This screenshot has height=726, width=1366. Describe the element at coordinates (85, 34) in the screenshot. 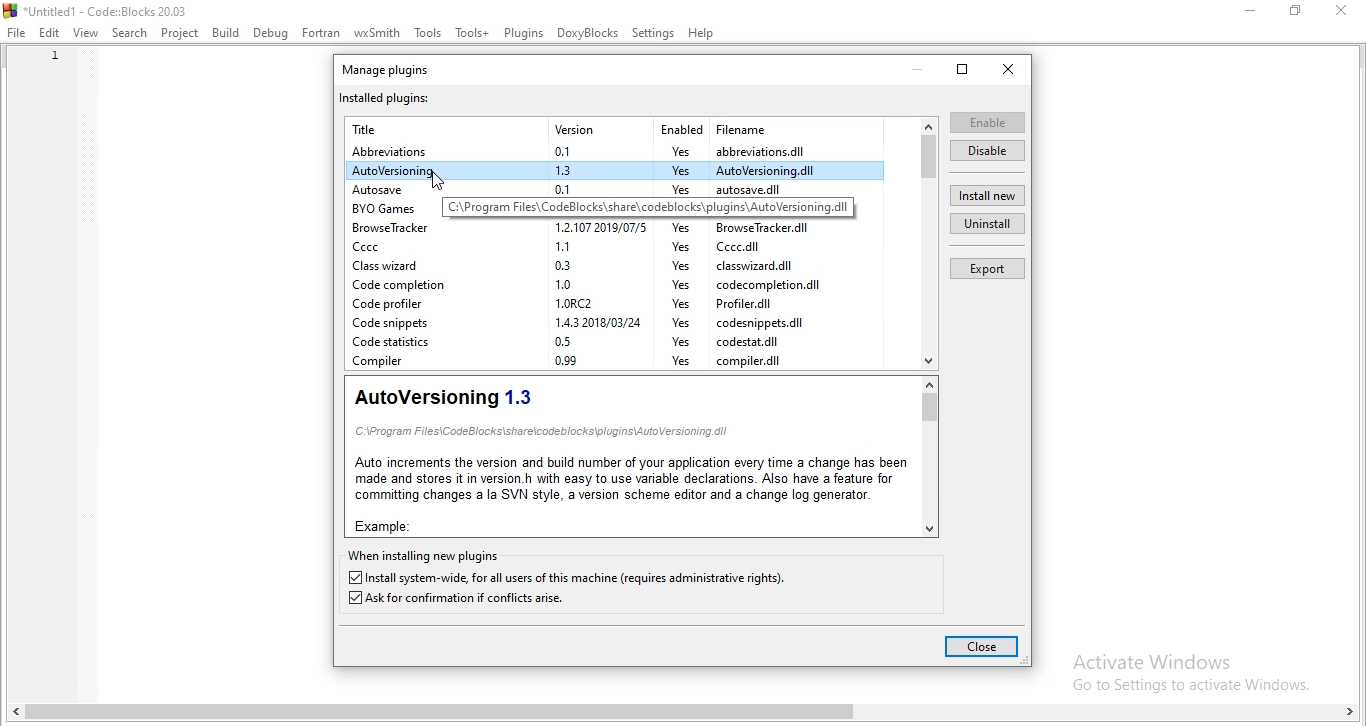

I see `View` at that location.